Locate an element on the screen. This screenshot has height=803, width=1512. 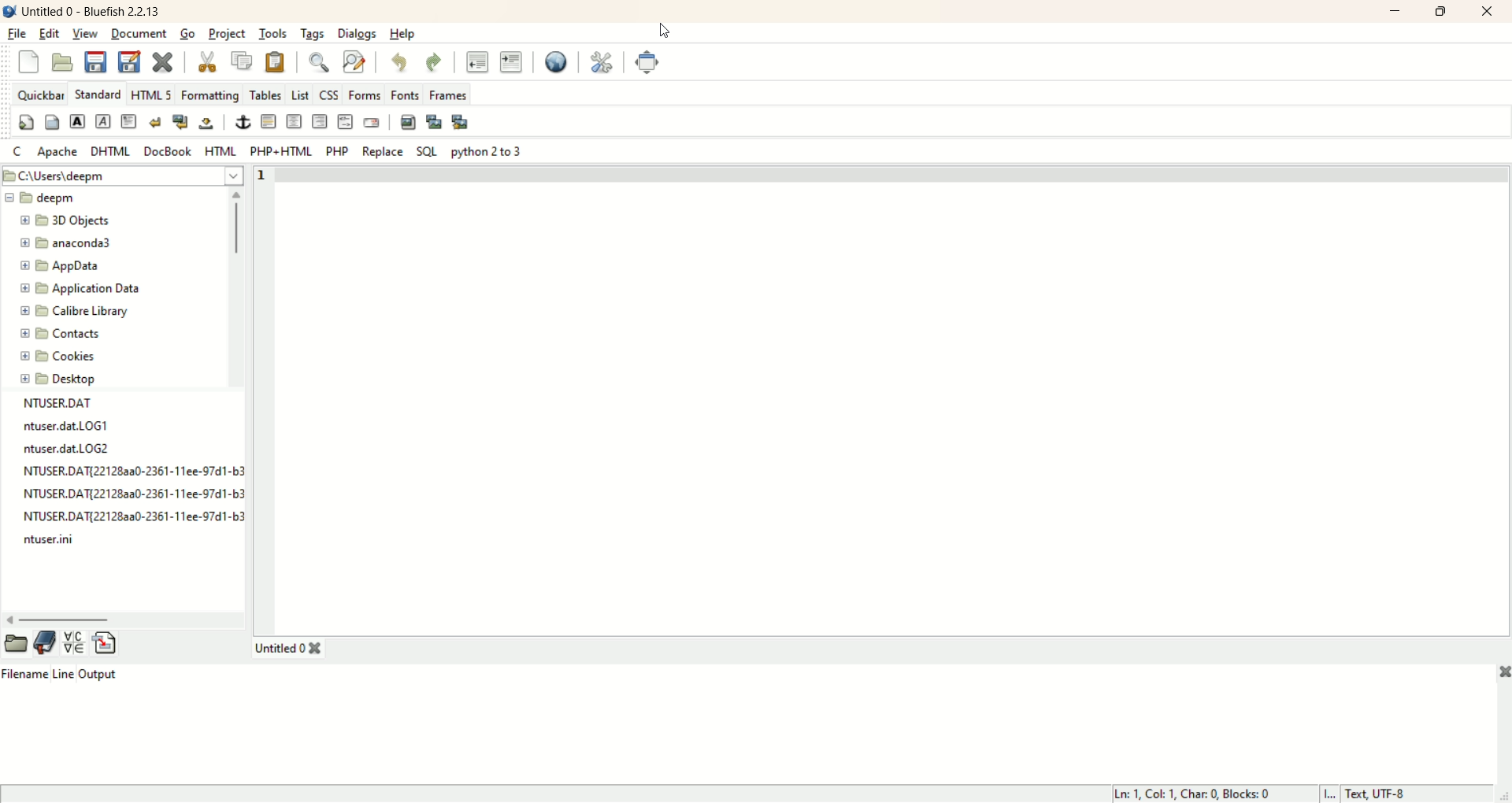
close is located at coordinates (1495, 673).